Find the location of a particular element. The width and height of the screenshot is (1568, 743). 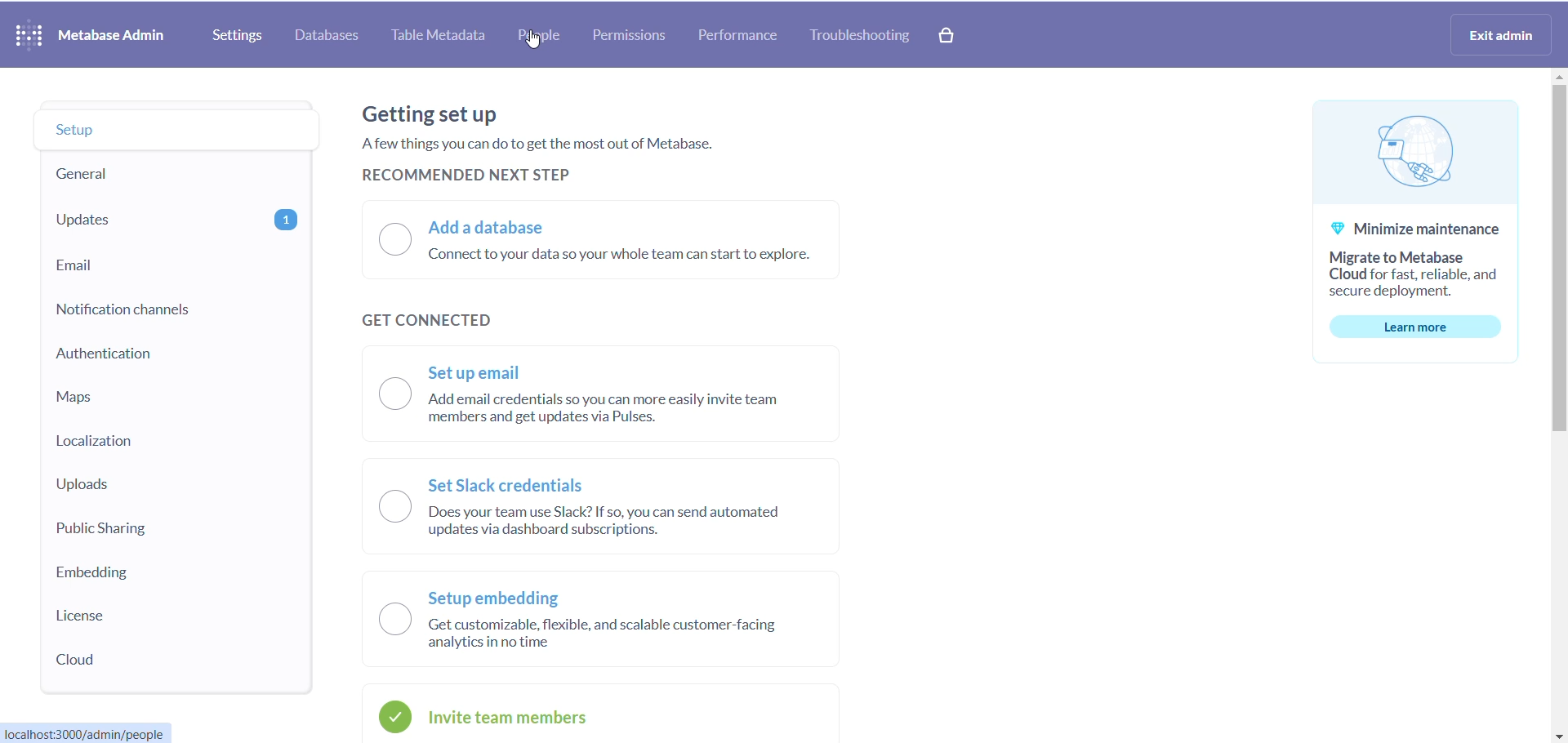

setup is located at coordinates (141, 129).